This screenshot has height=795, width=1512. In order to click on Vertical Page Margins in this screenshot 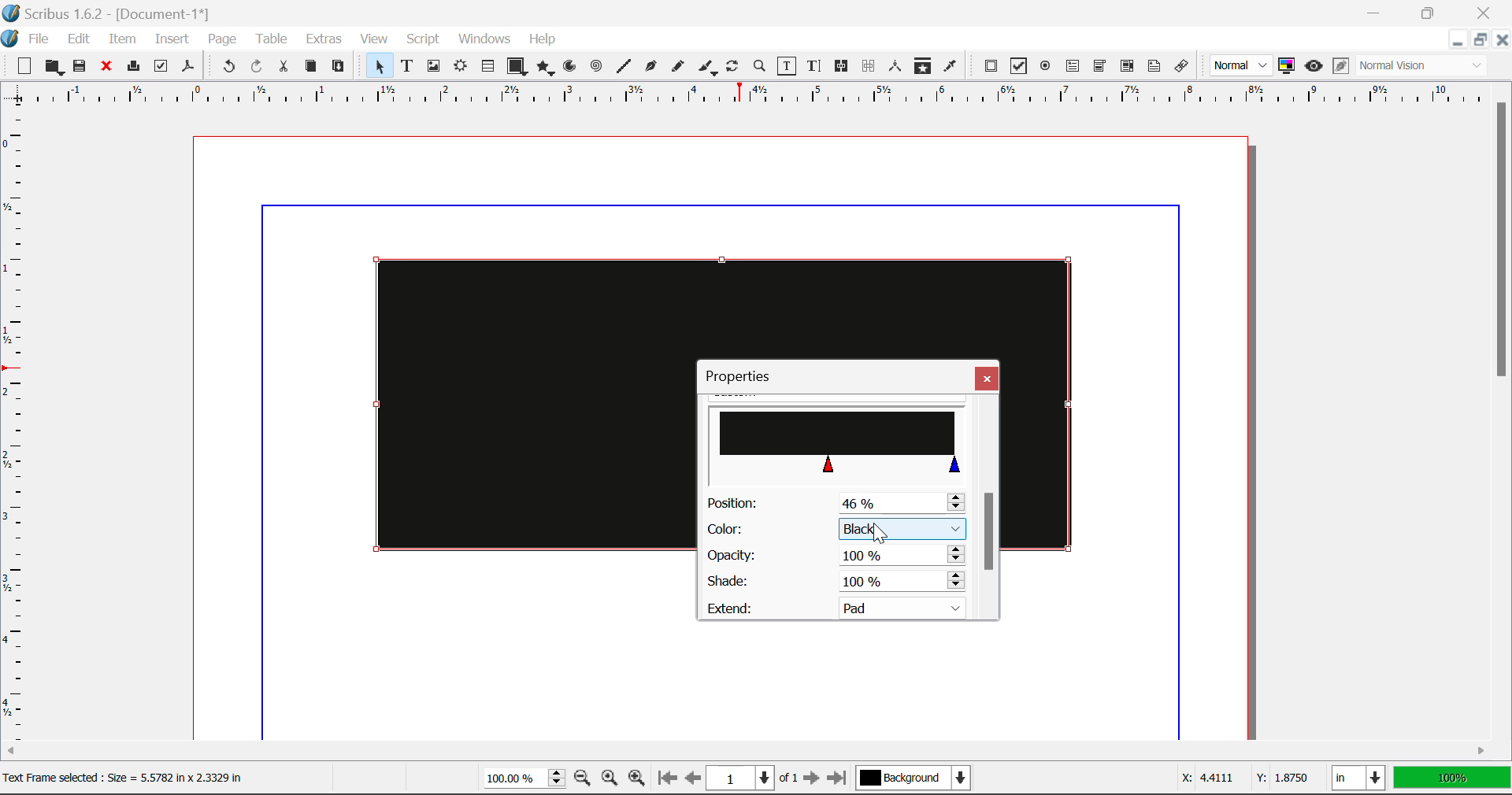, I will do `click(755, 99)`.